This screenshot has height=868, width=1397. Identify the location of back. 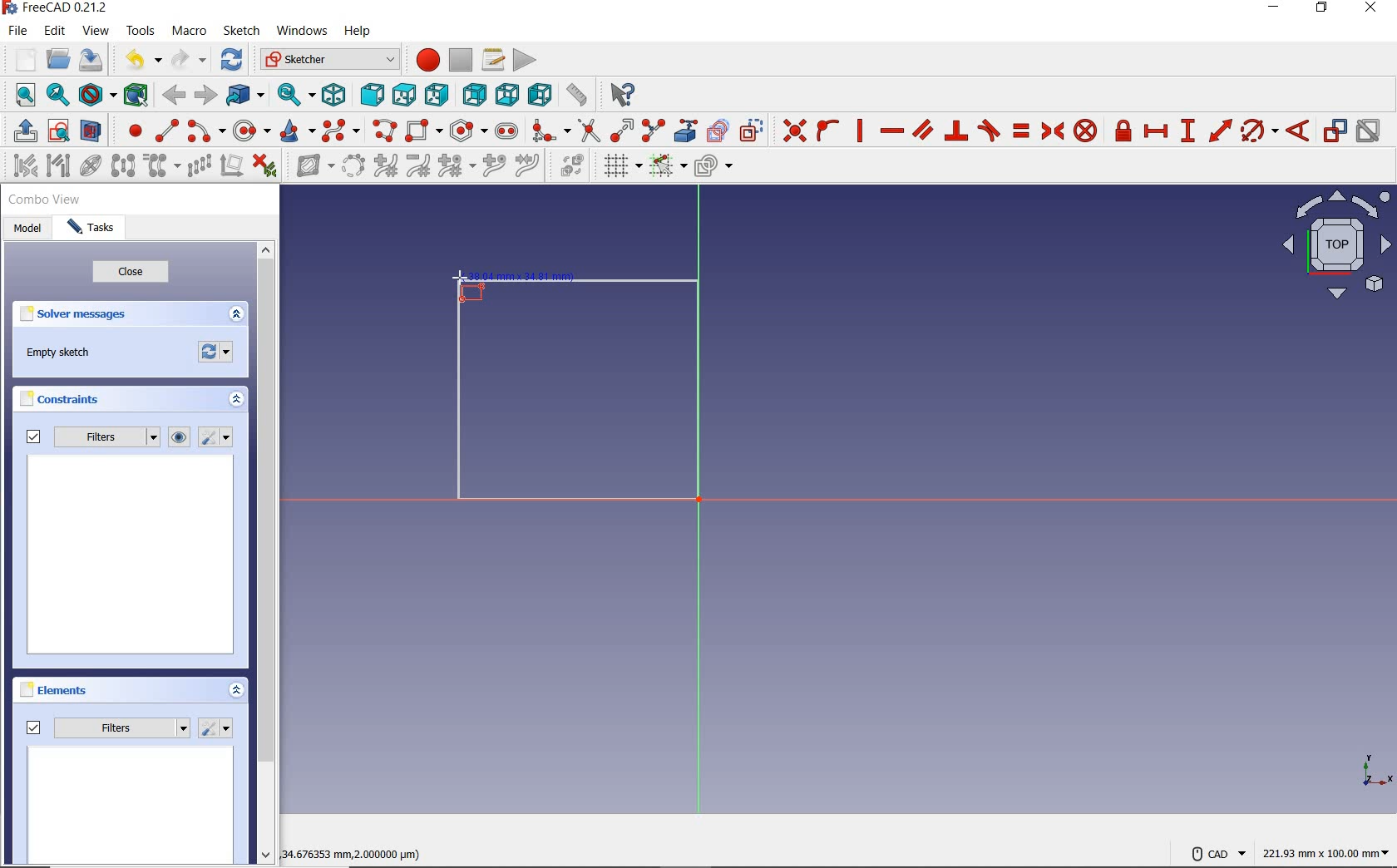
(175, 96).